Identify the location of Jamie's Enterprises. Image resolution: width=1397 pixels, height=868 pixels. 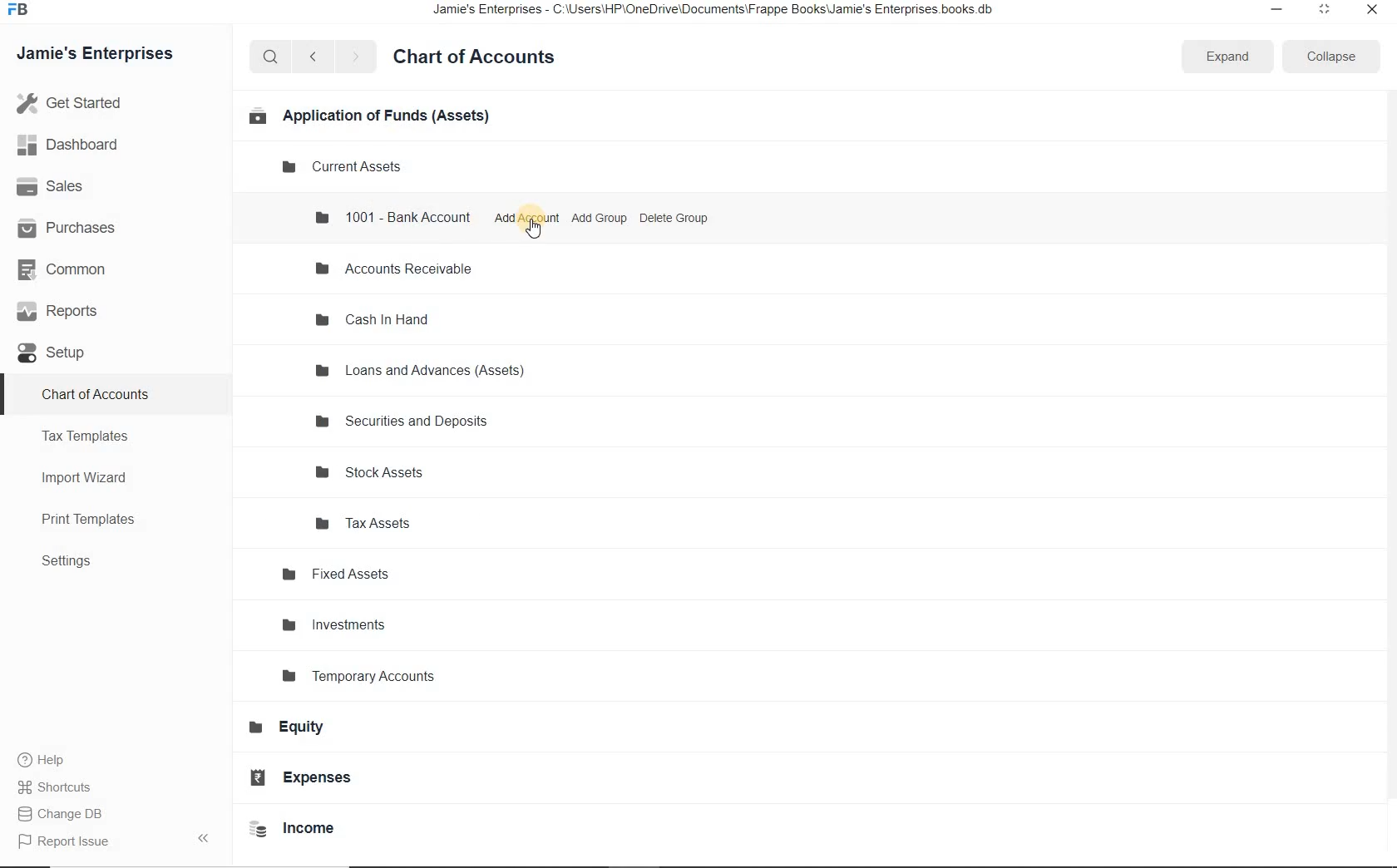
(101, 55).